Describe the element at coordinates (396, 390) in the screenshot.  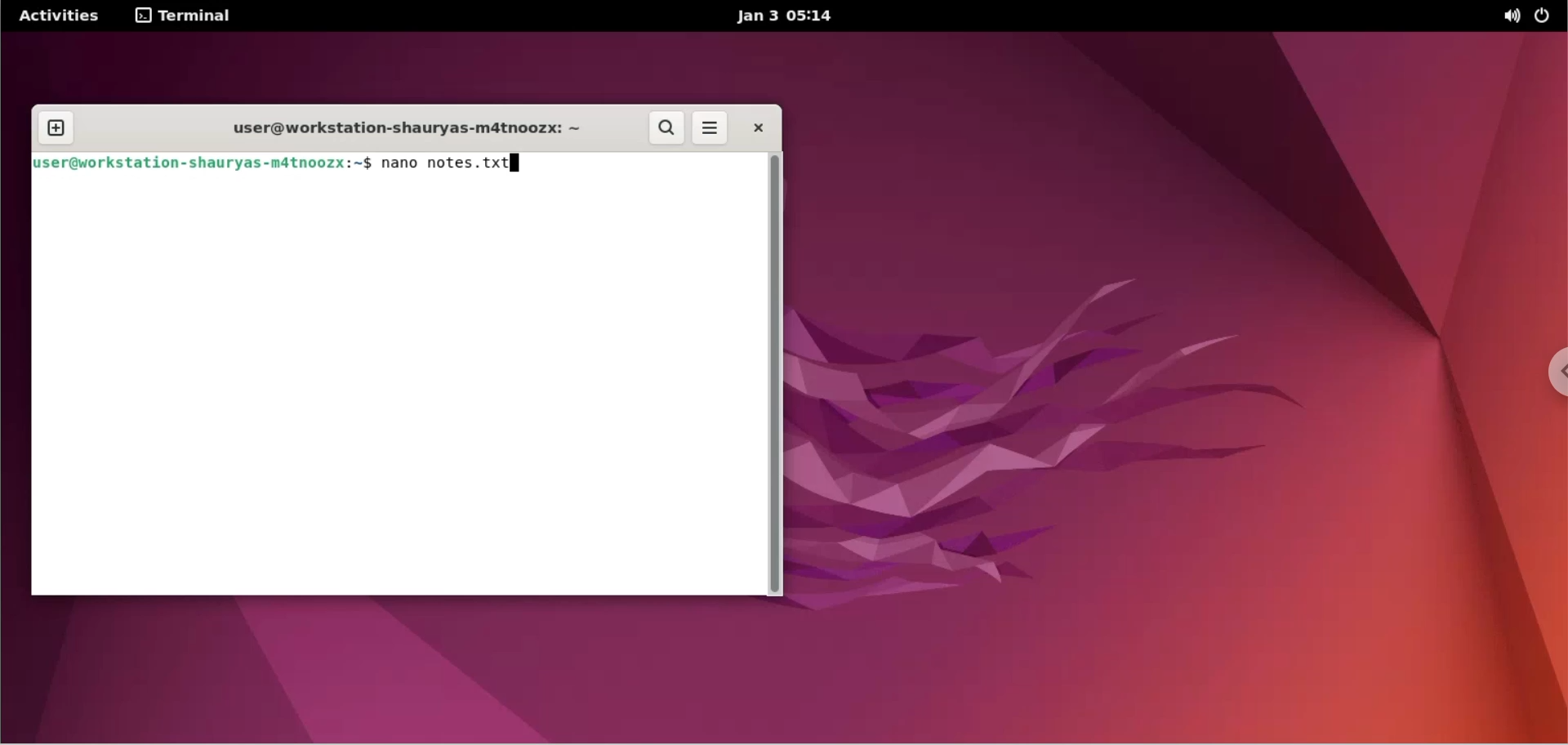
I see `command input box` at that location.